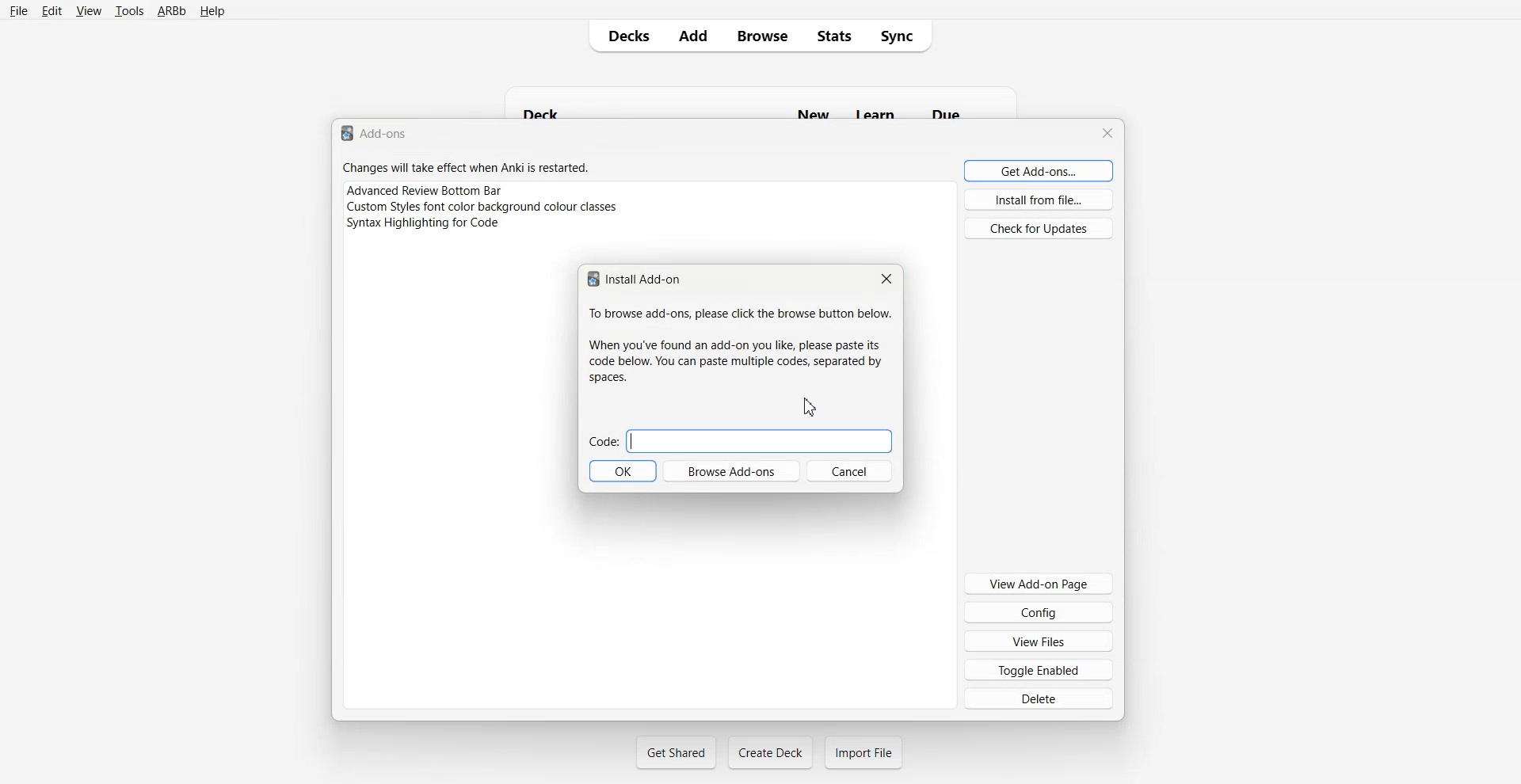 The height and width of the screenshot is (784, 1521). Describe the element at coordinates (740, 440) in the screenshot. I see `Code` at that location.